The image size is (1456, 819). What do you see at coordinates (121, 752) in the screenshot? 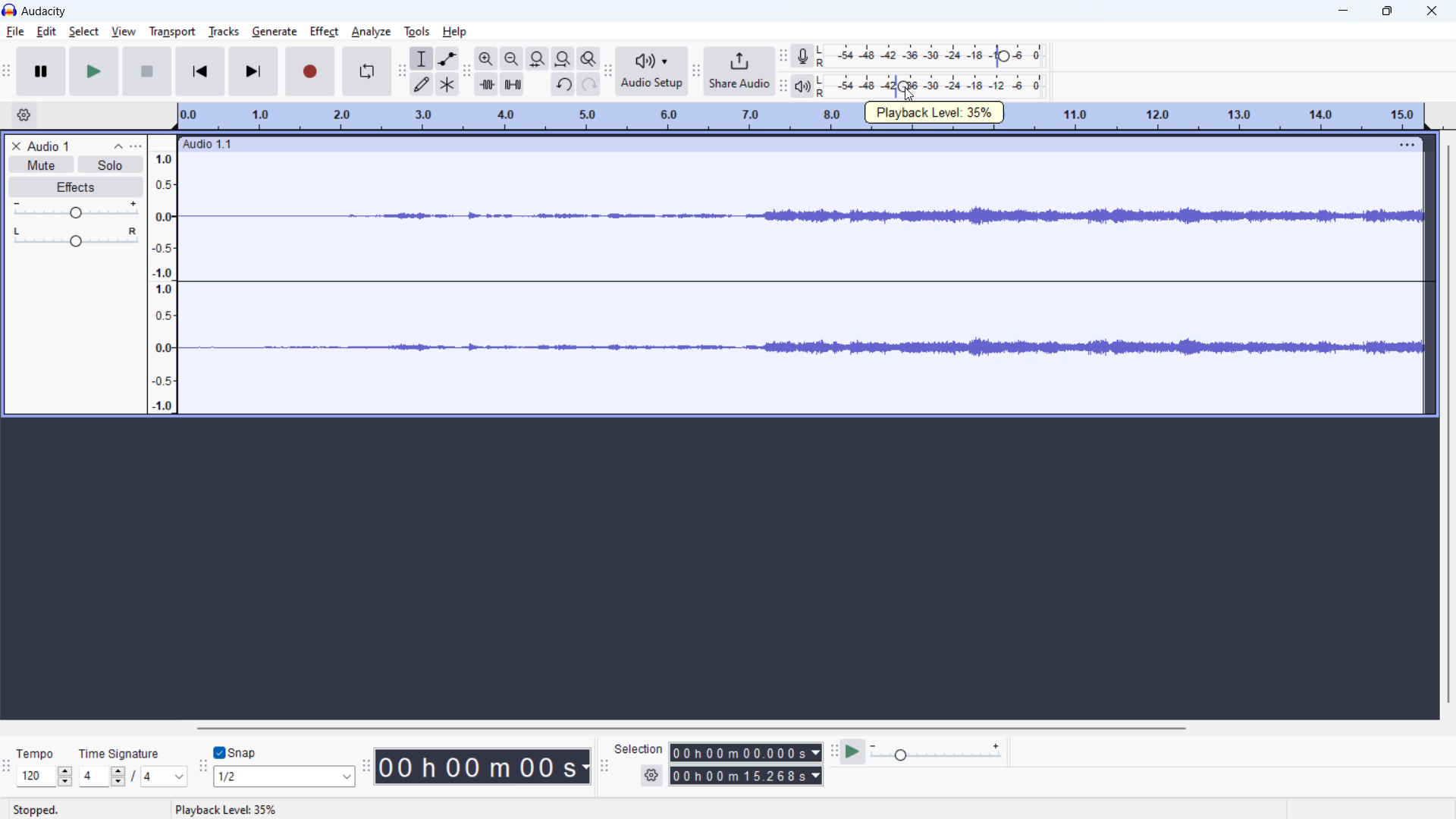
I see `Time Signature` at bounding box center [121, 752].